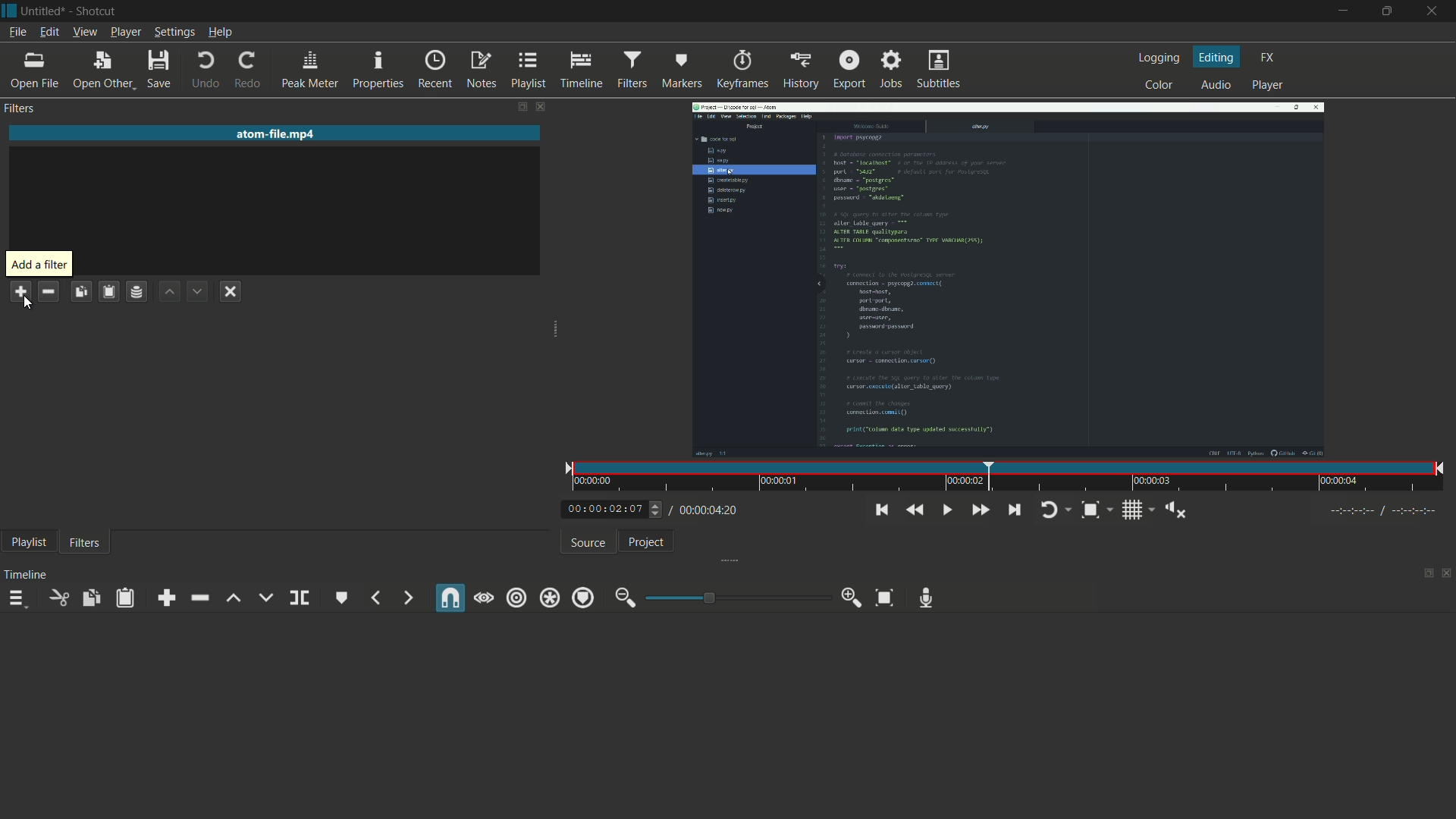 The image size is (1456, 819). Describe the element at coordinates (20, 288) in the screenshot. I see `add a filter` at that location.